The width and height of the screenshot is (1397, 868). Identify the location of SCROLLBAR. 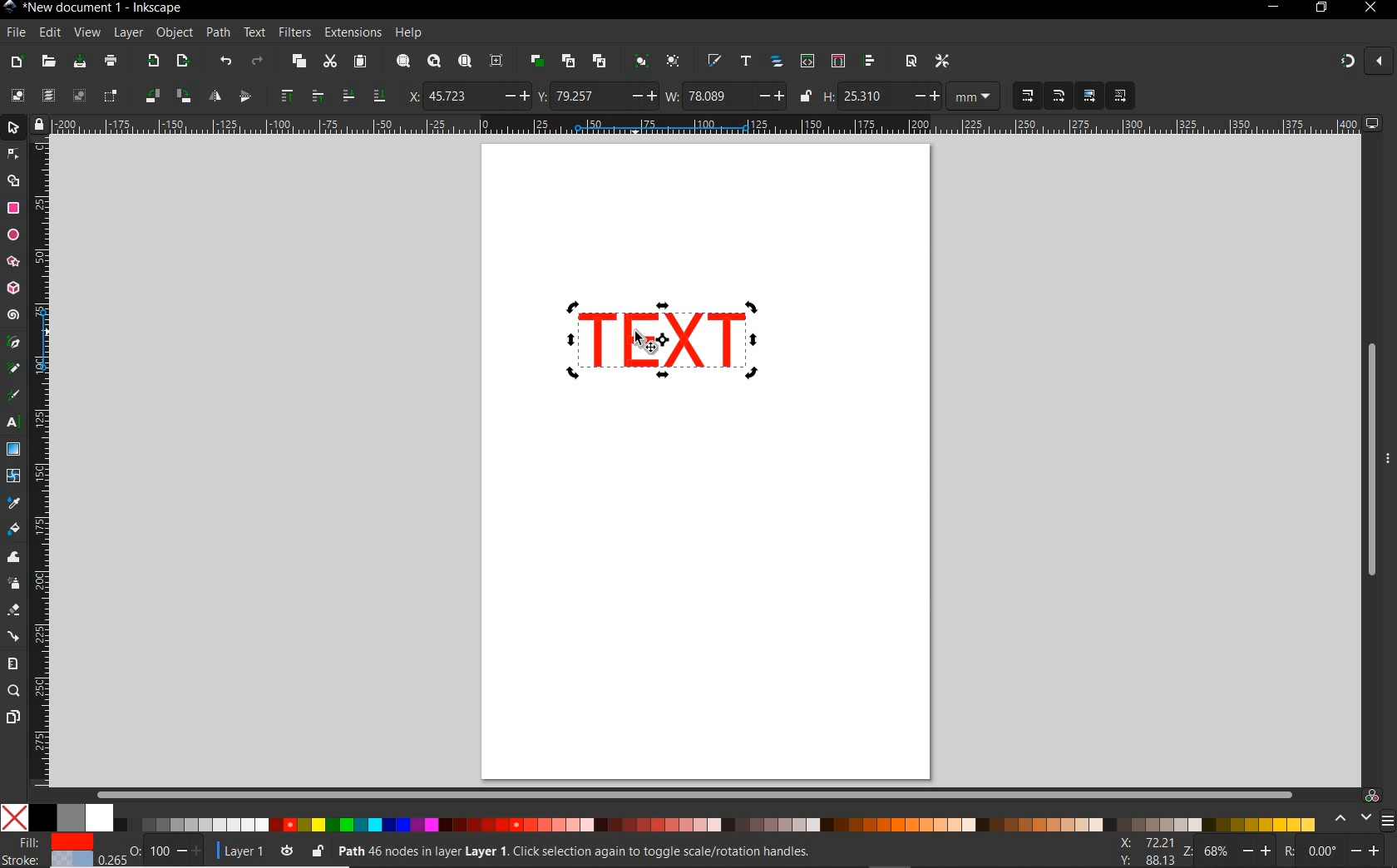
(1365, 458).